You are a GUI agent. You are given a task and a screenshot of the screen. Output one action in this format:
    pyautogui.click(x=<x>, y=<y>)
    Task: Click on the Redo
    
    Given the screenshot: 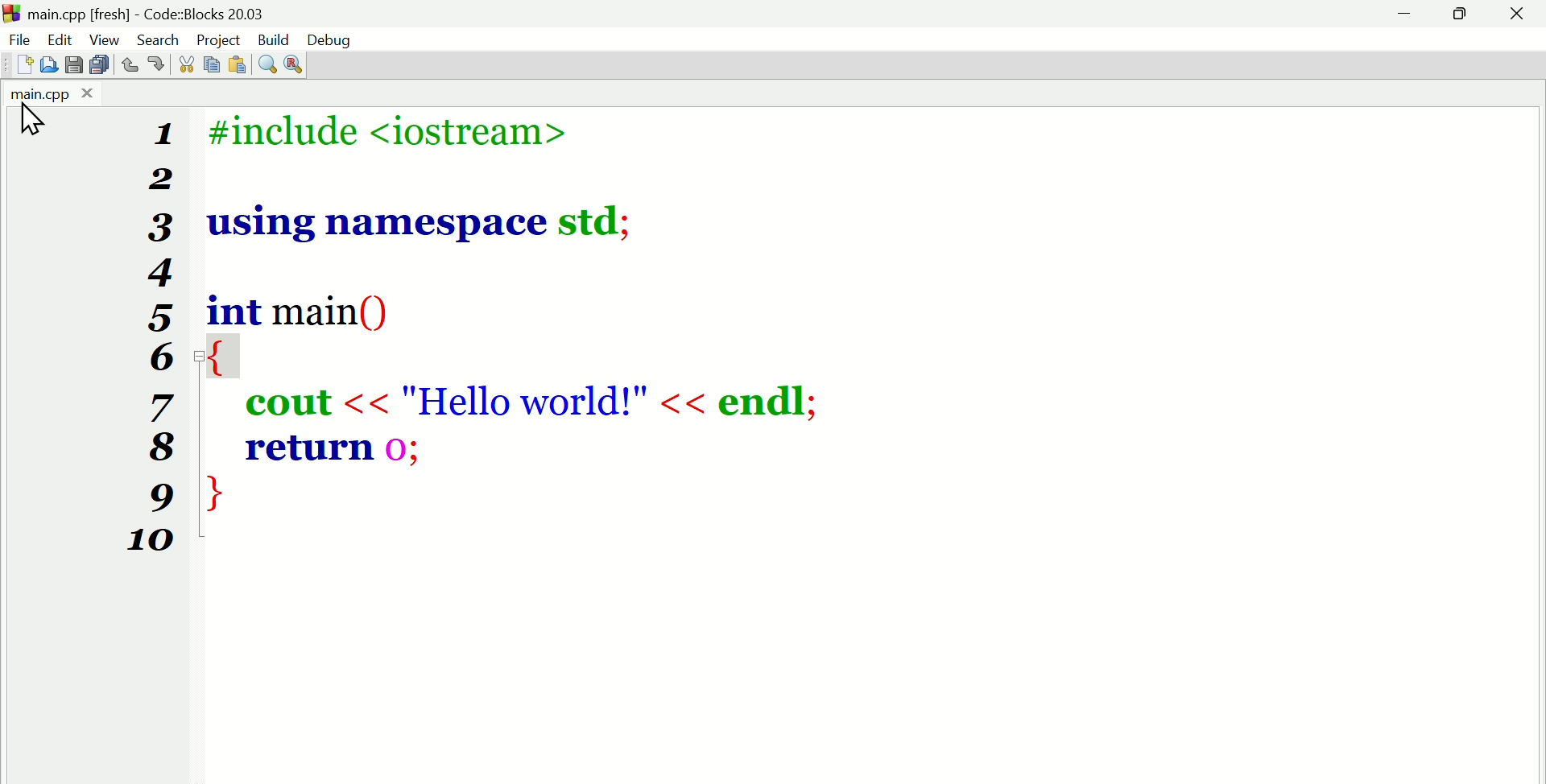 What is the action you would take?
    pyautogui.click(x=159, y=66)
    